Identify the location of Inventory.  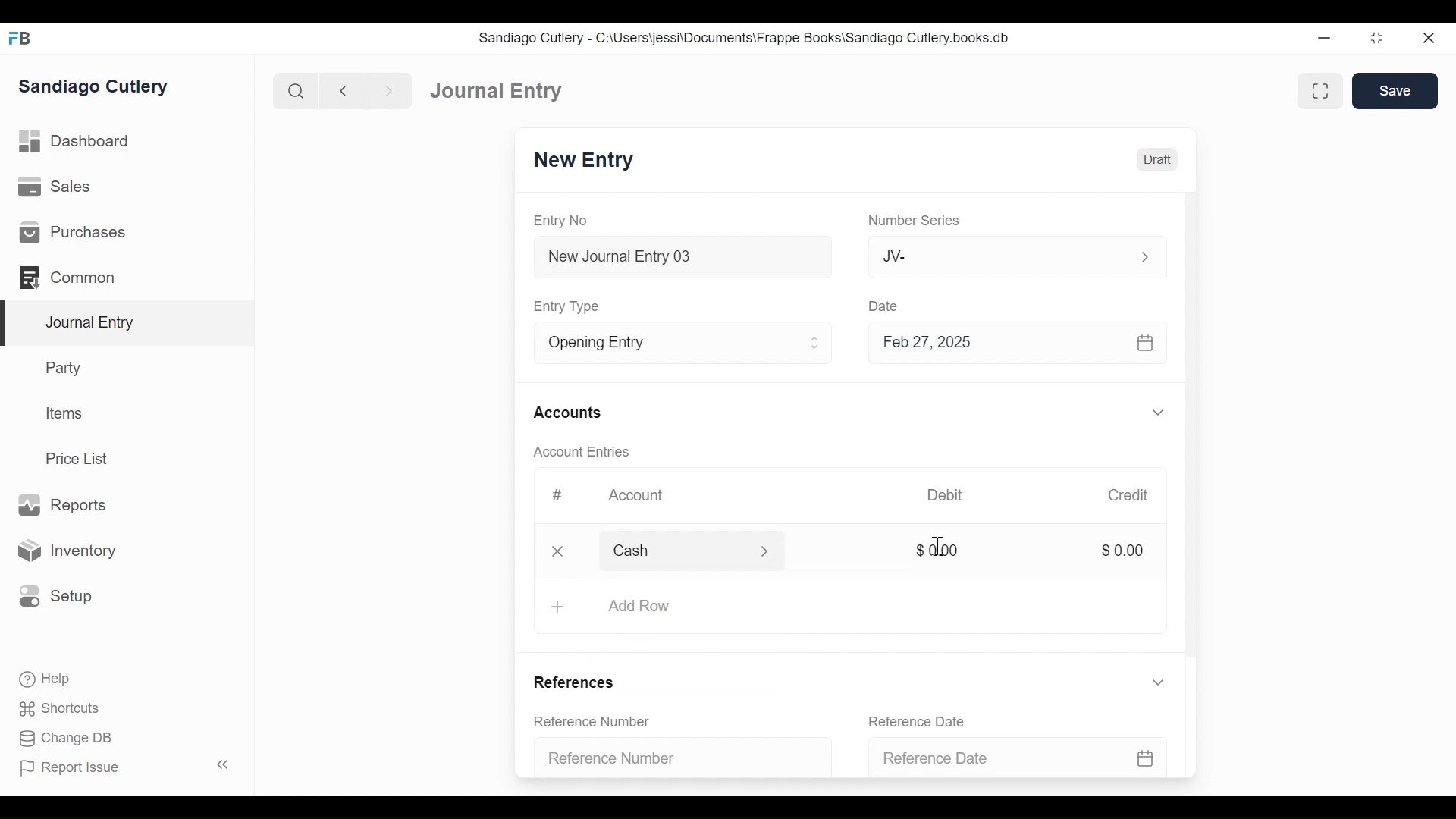
(65, 550).